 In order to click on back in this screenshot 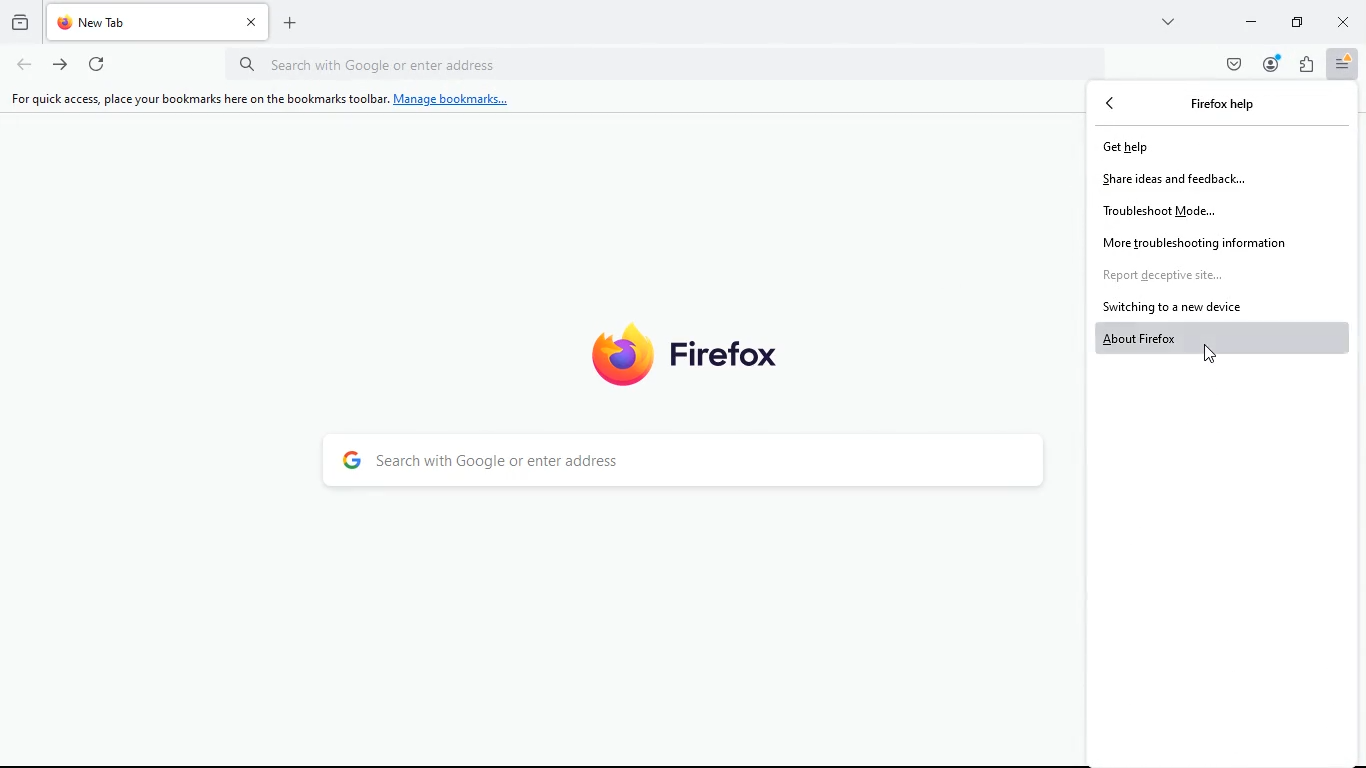, I will do `click(1117, 105)`.